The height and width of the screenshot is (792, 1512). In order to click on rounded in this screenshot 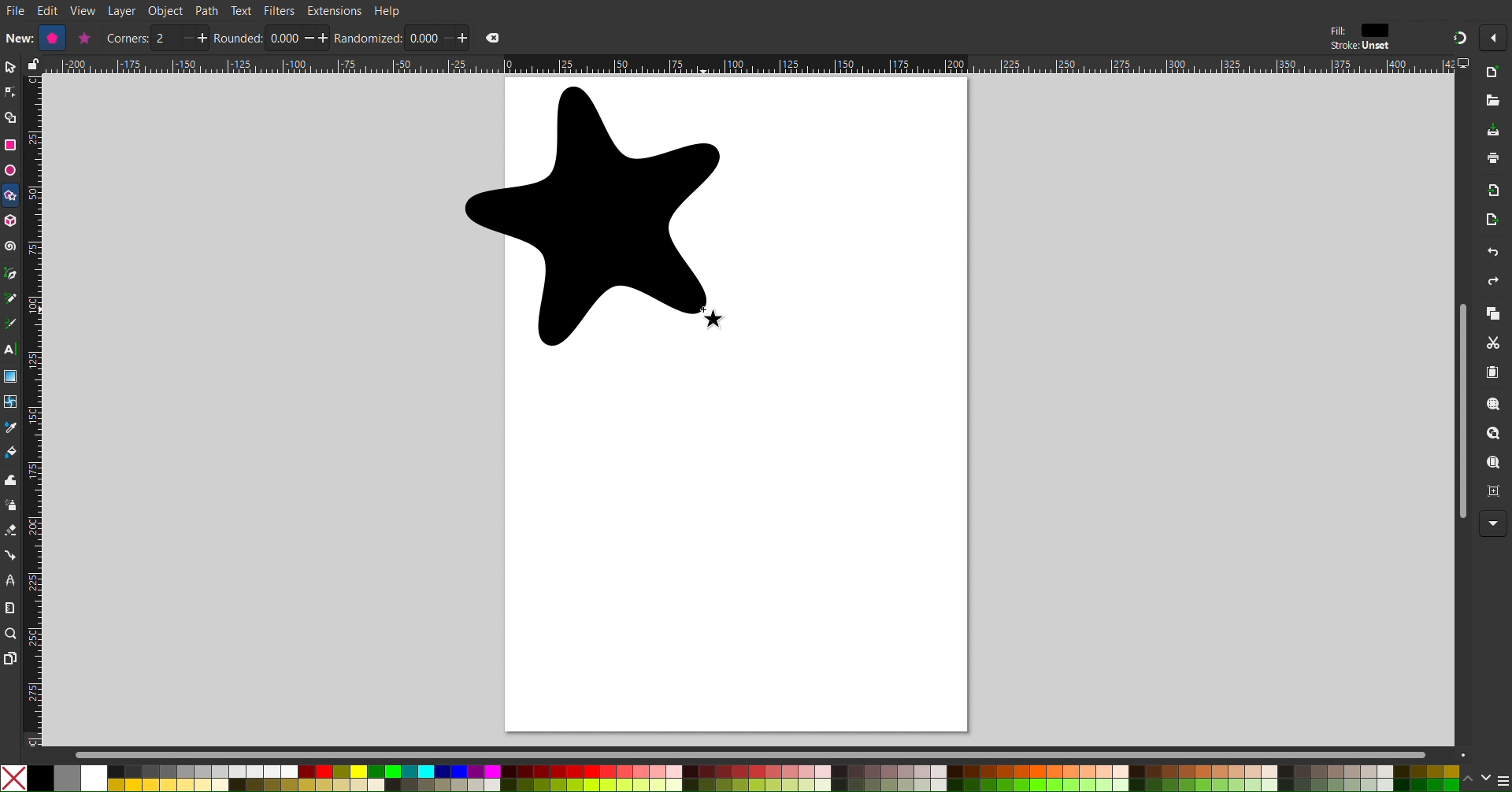, I will do `click(239, 38)`.